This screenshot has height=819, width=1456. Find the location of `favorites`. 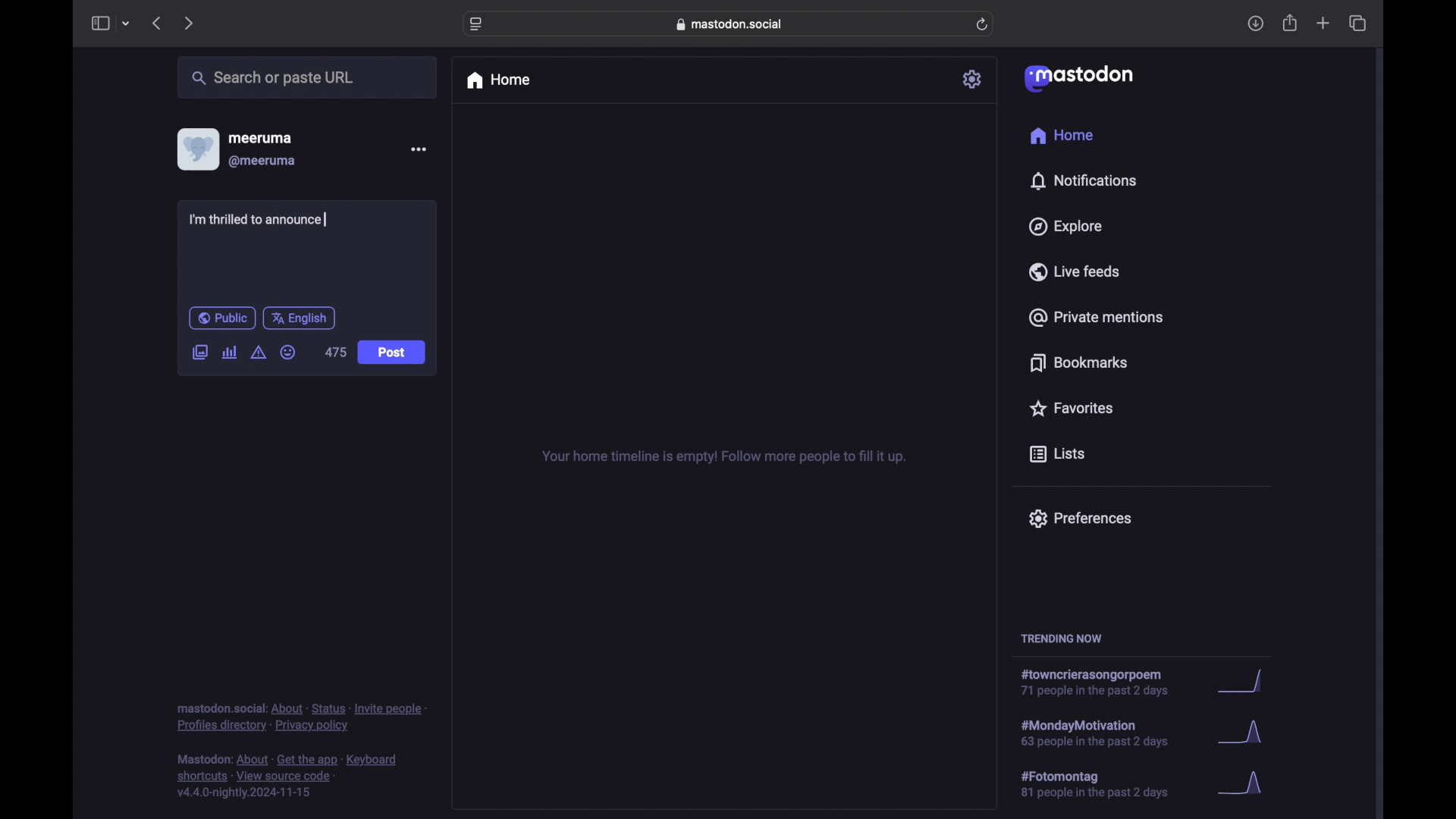

favorites is located at coordinates (1071, 408).